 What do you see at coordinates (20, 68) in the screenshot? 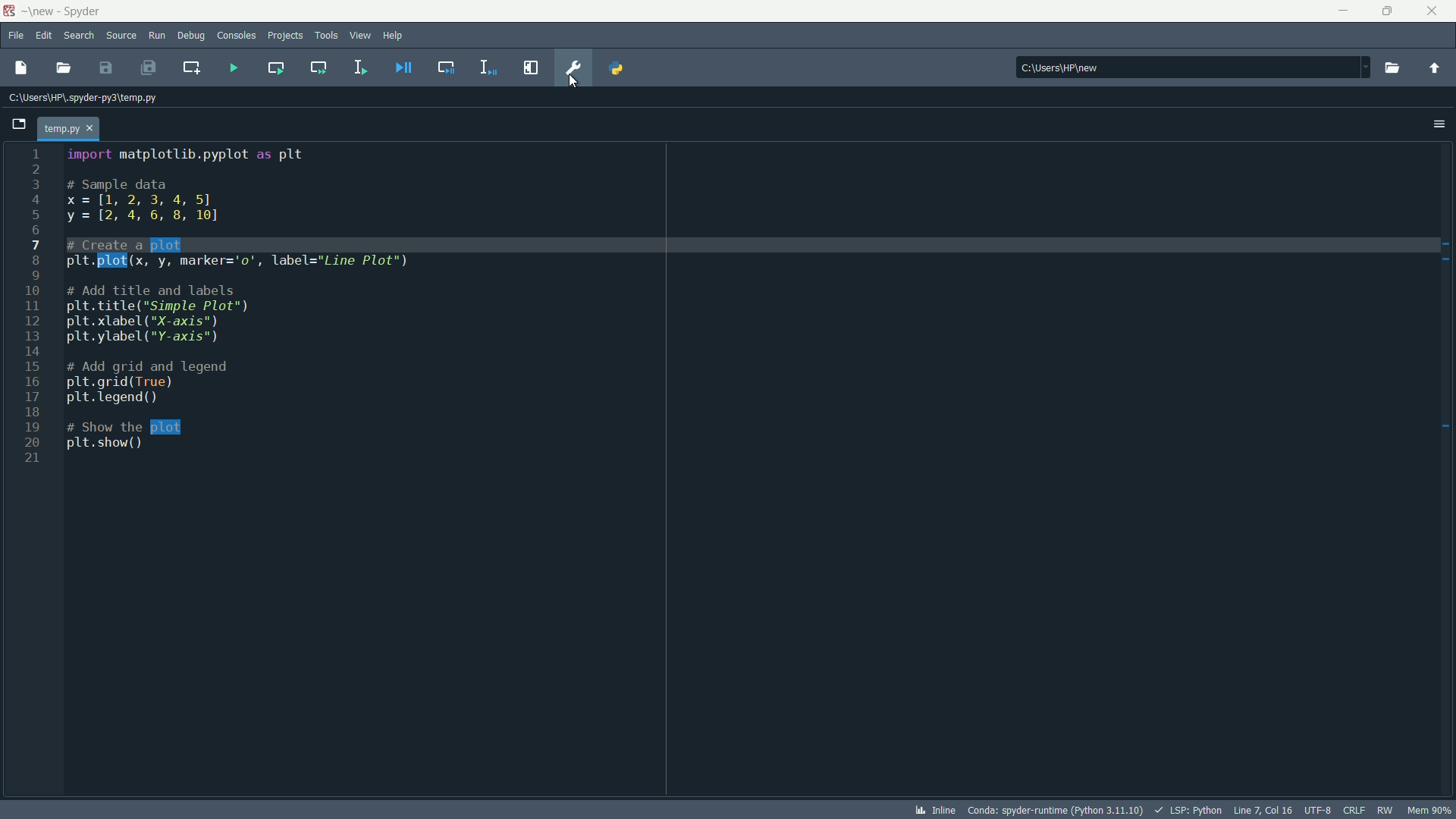
I see `open file` at bounding box center [20, 68].